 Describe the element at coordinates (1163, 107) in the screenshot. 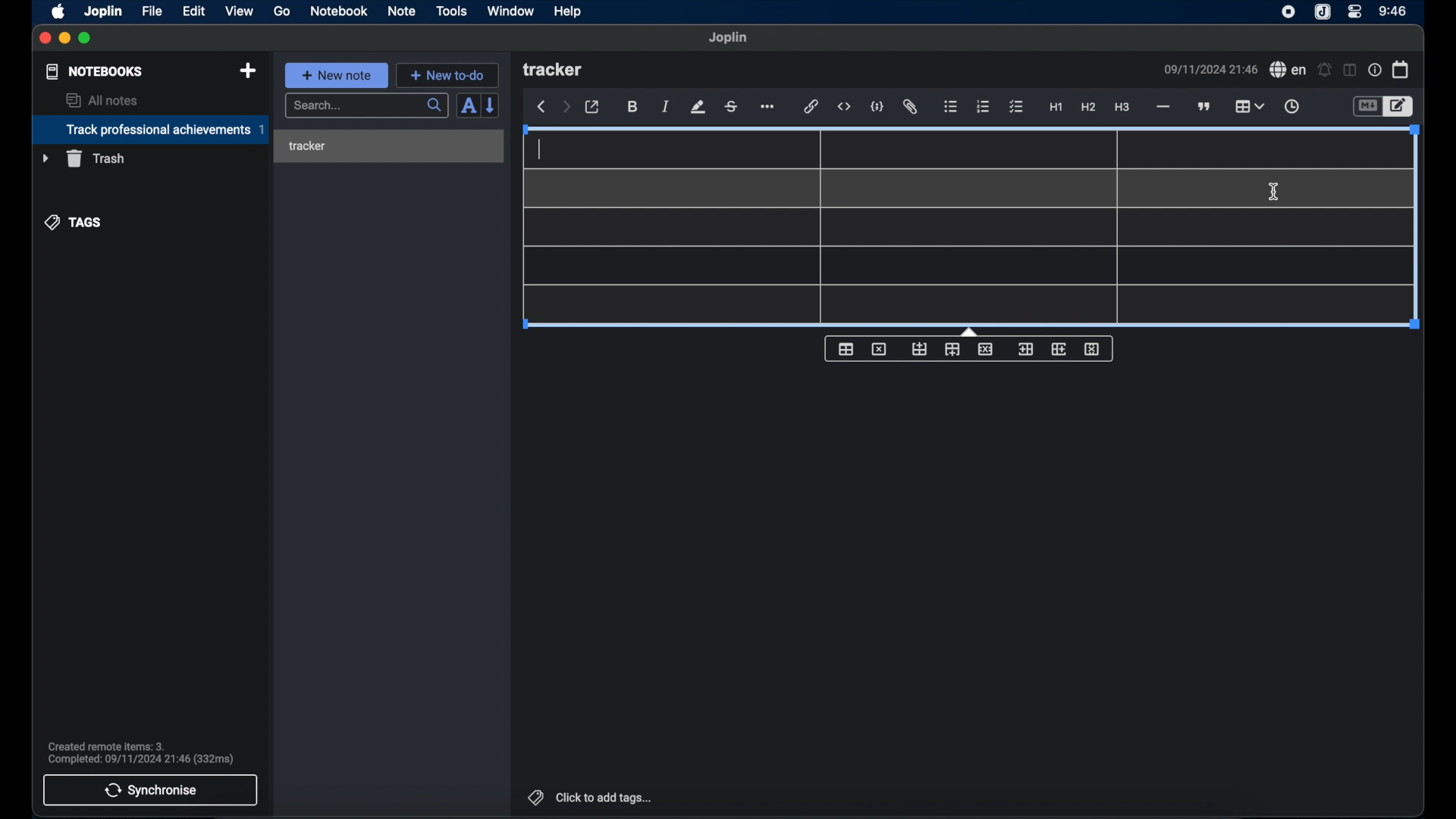

I see `horizontal line` at that location.